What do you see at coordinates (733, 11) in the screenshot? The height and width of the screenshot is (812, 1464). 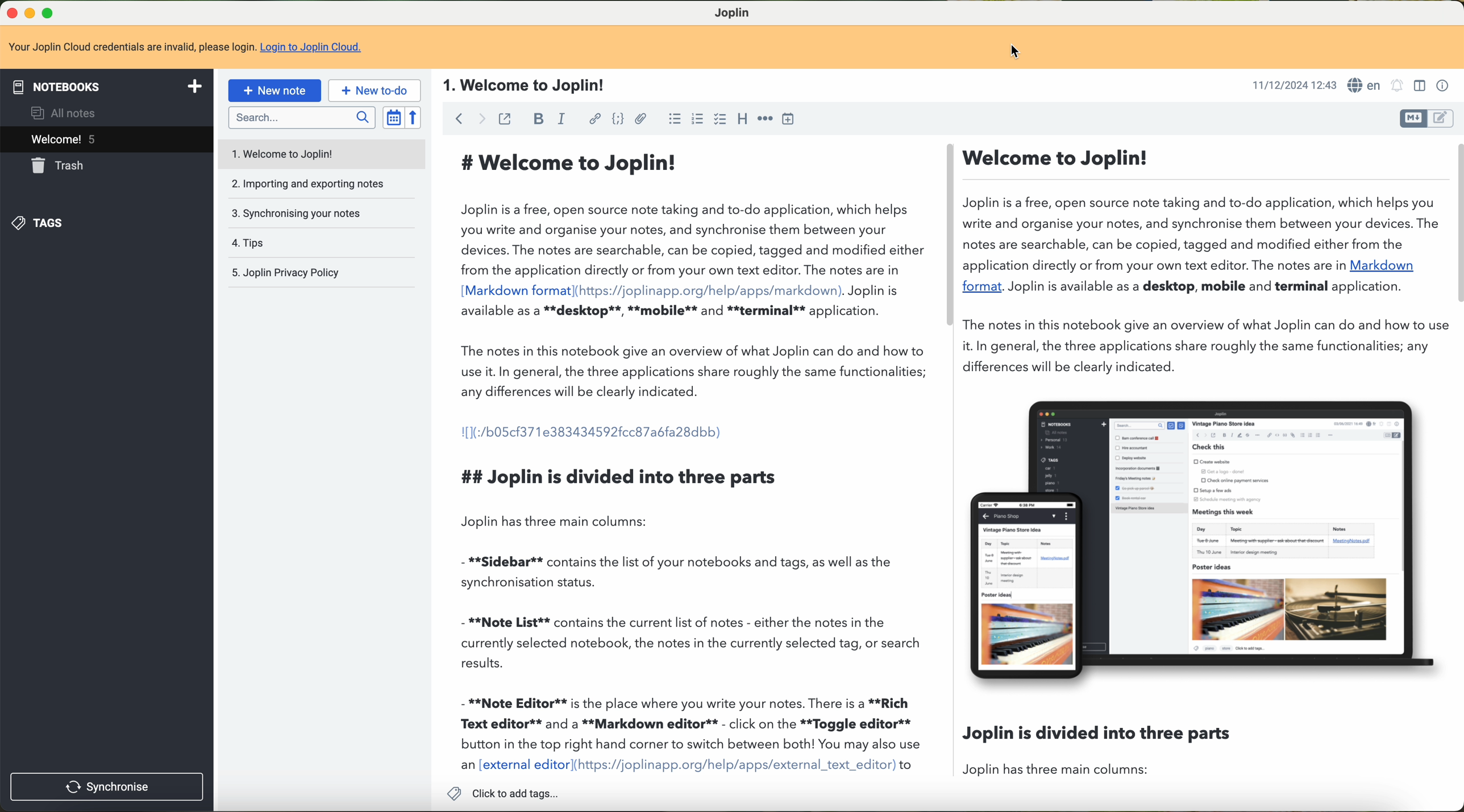 I see `Joplin` at bounding box center [733, 11].